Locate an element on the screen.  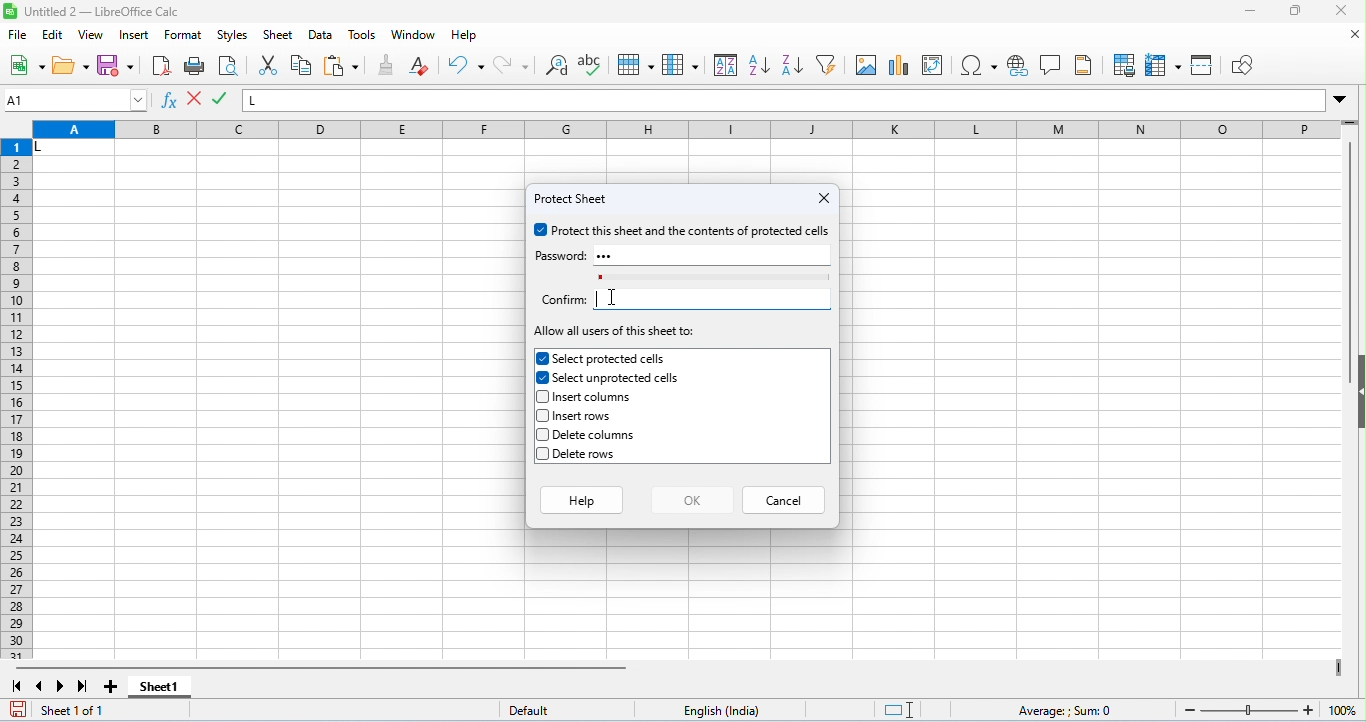
insert rows is located at coordinates (577, 416).